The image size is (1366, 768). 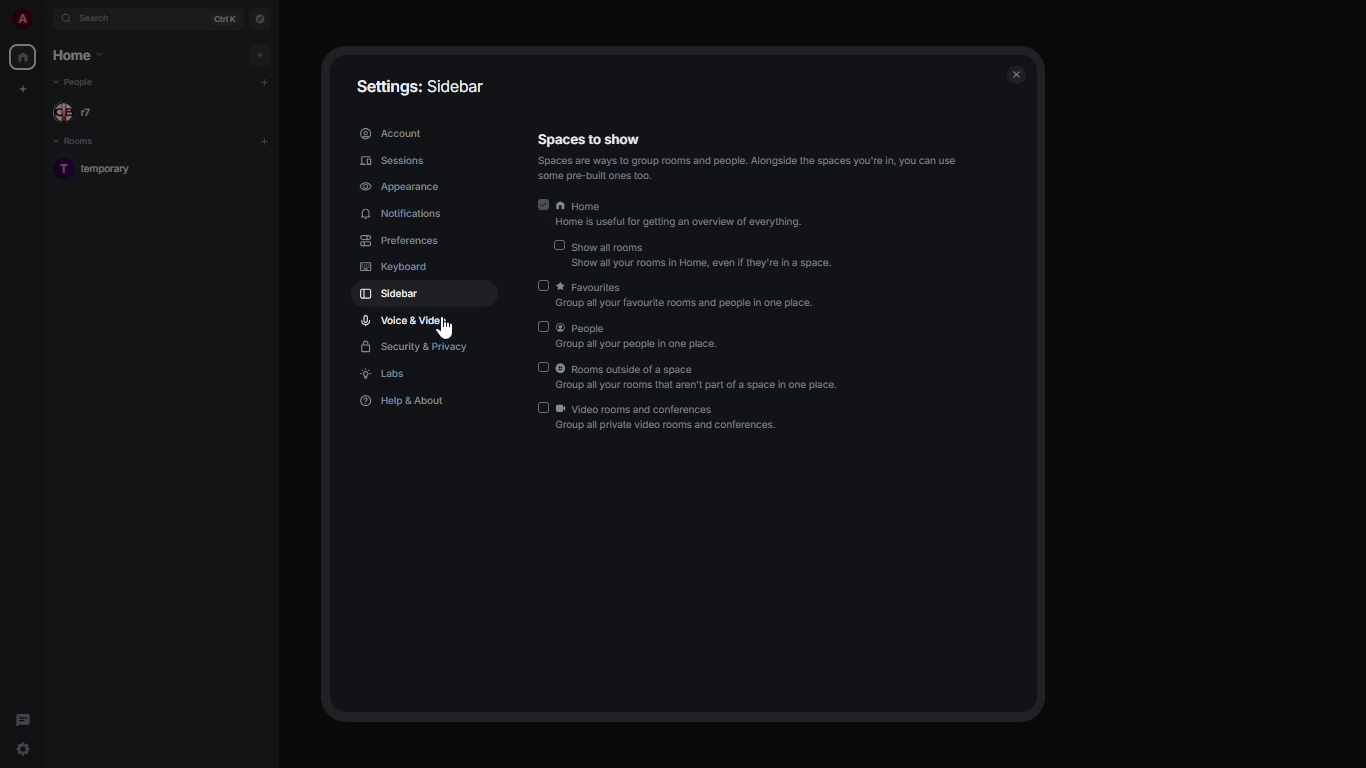 I want to click on disabled, so click(x=544, y=286).